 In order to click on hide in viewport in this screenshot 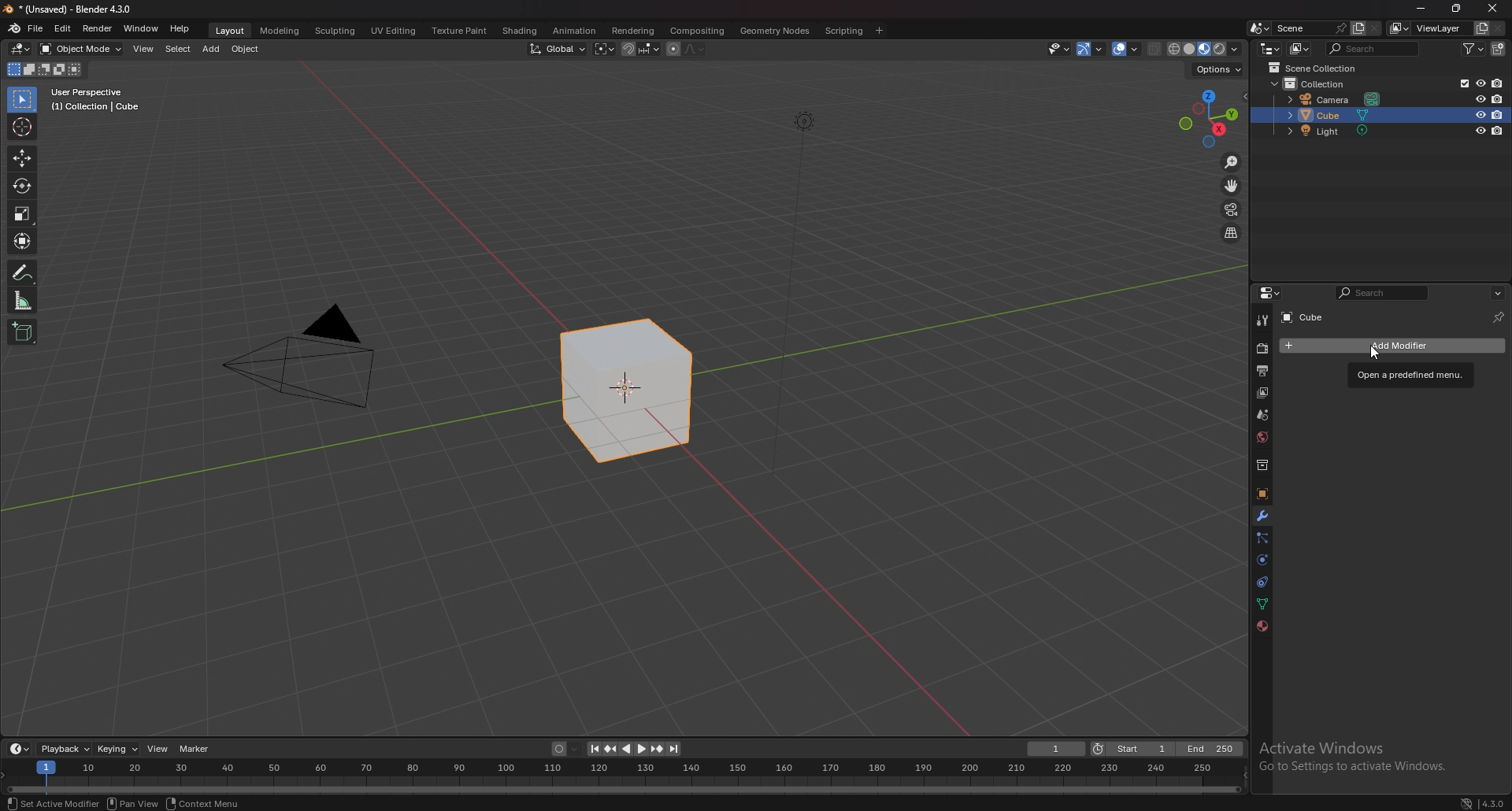, I will do `click(1480, 115)`.